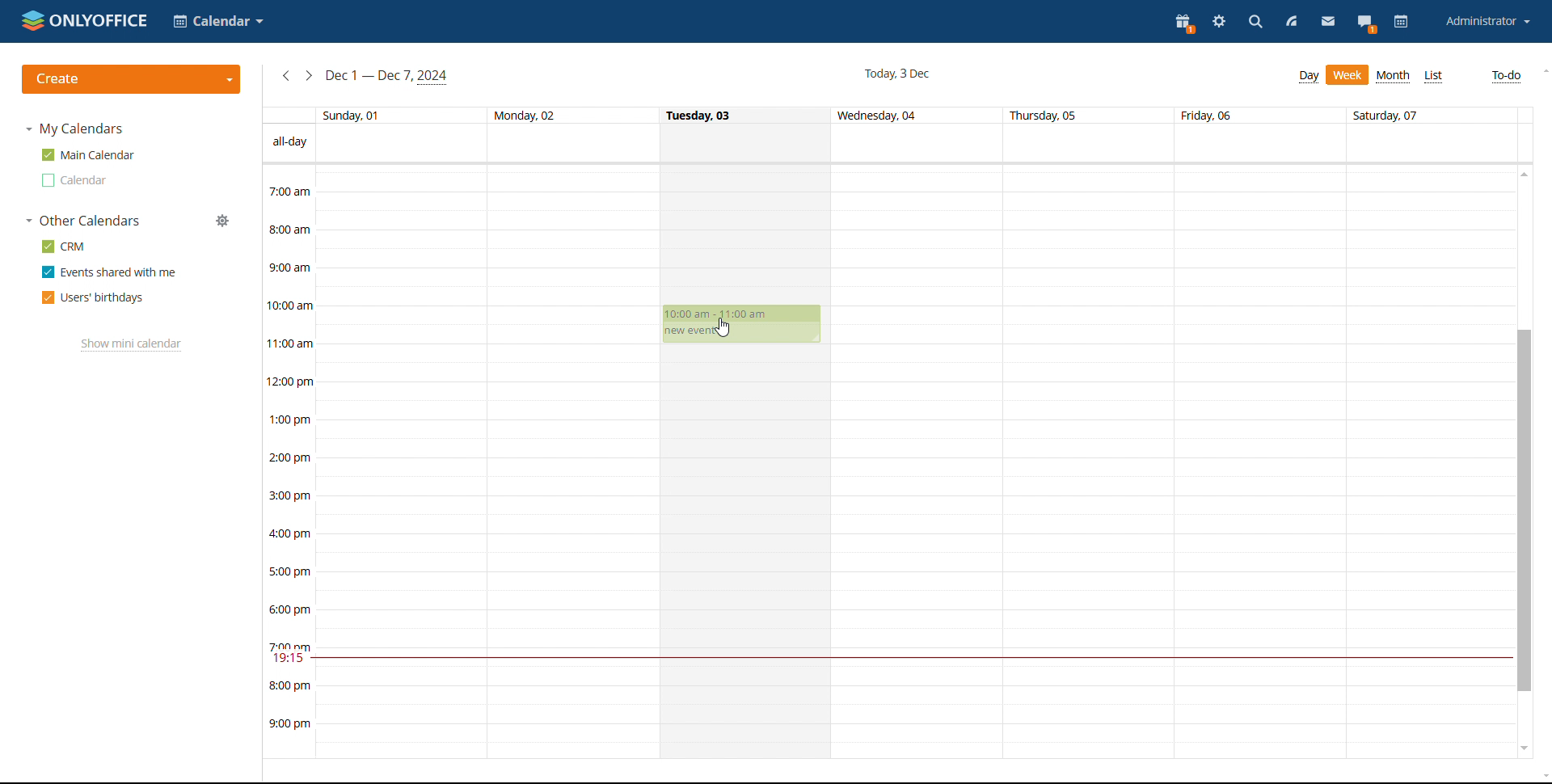 This screenshot has width=1552, height=784. Describe the element at coordinates (701, 114) in the screenshot. I see `Tuesday, 03` at that location.